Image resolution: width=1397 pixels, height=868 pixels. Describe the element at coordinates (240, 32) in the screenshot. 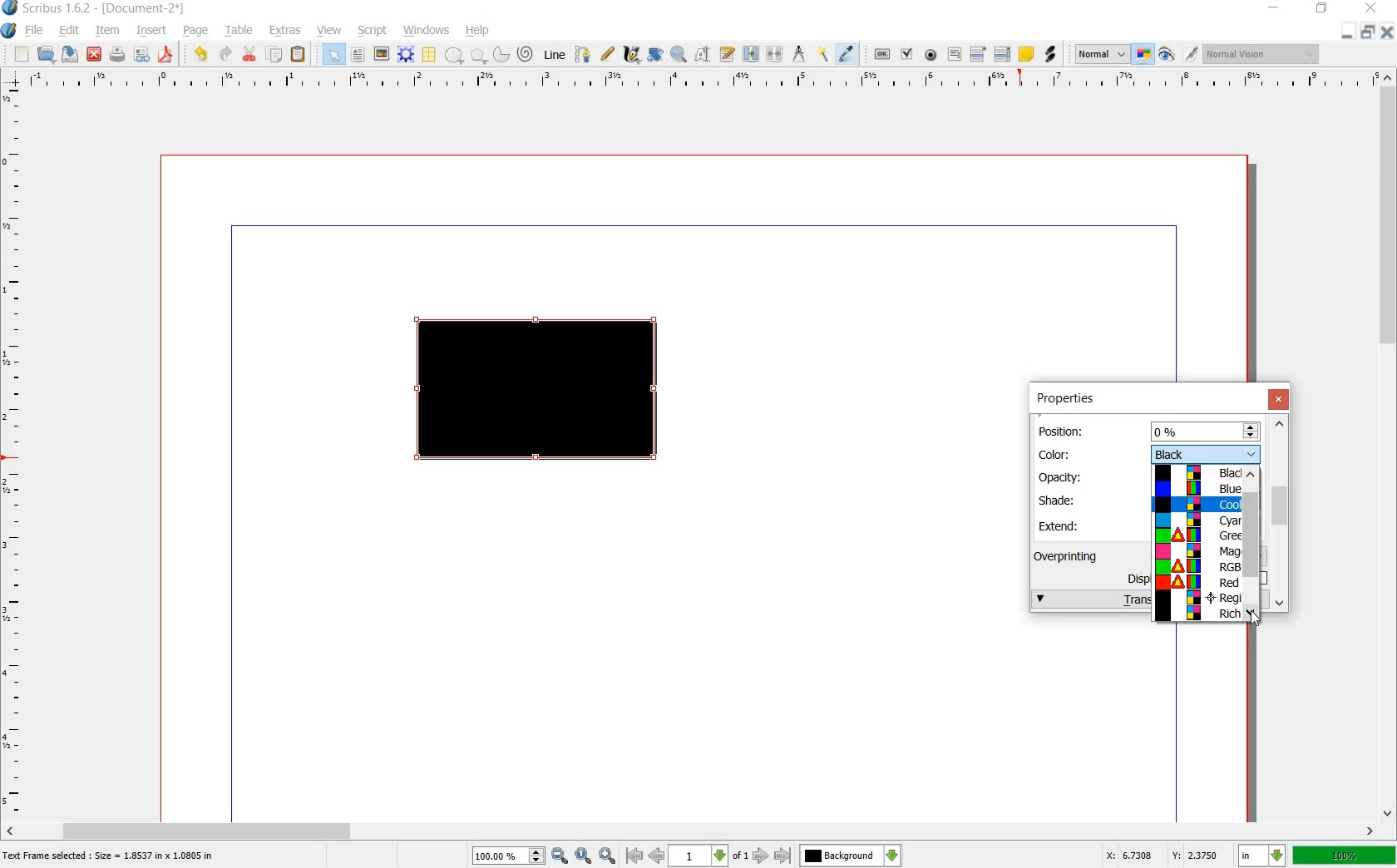

I see `table` at that location.